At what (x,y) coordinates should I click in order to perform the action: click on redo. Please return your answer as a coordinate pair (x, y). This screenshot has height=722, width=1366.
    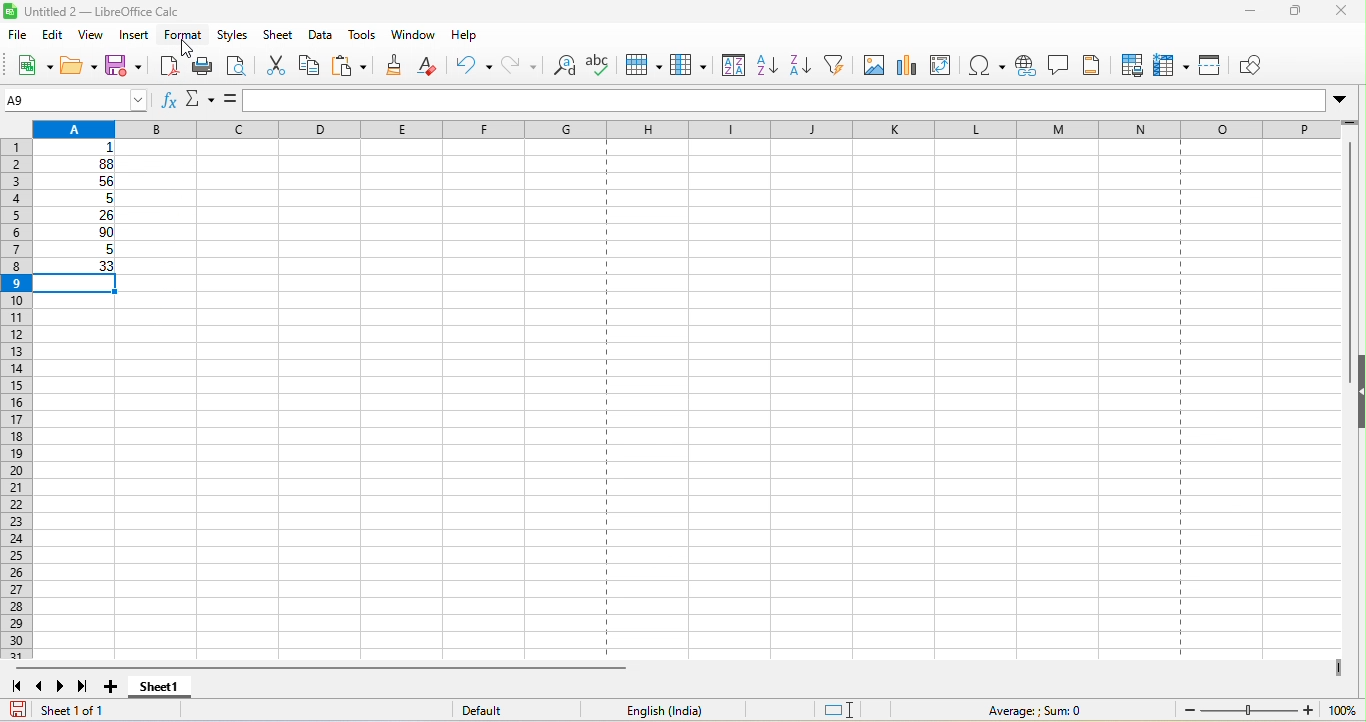
    Looking at the image, I should click on (521, 67).